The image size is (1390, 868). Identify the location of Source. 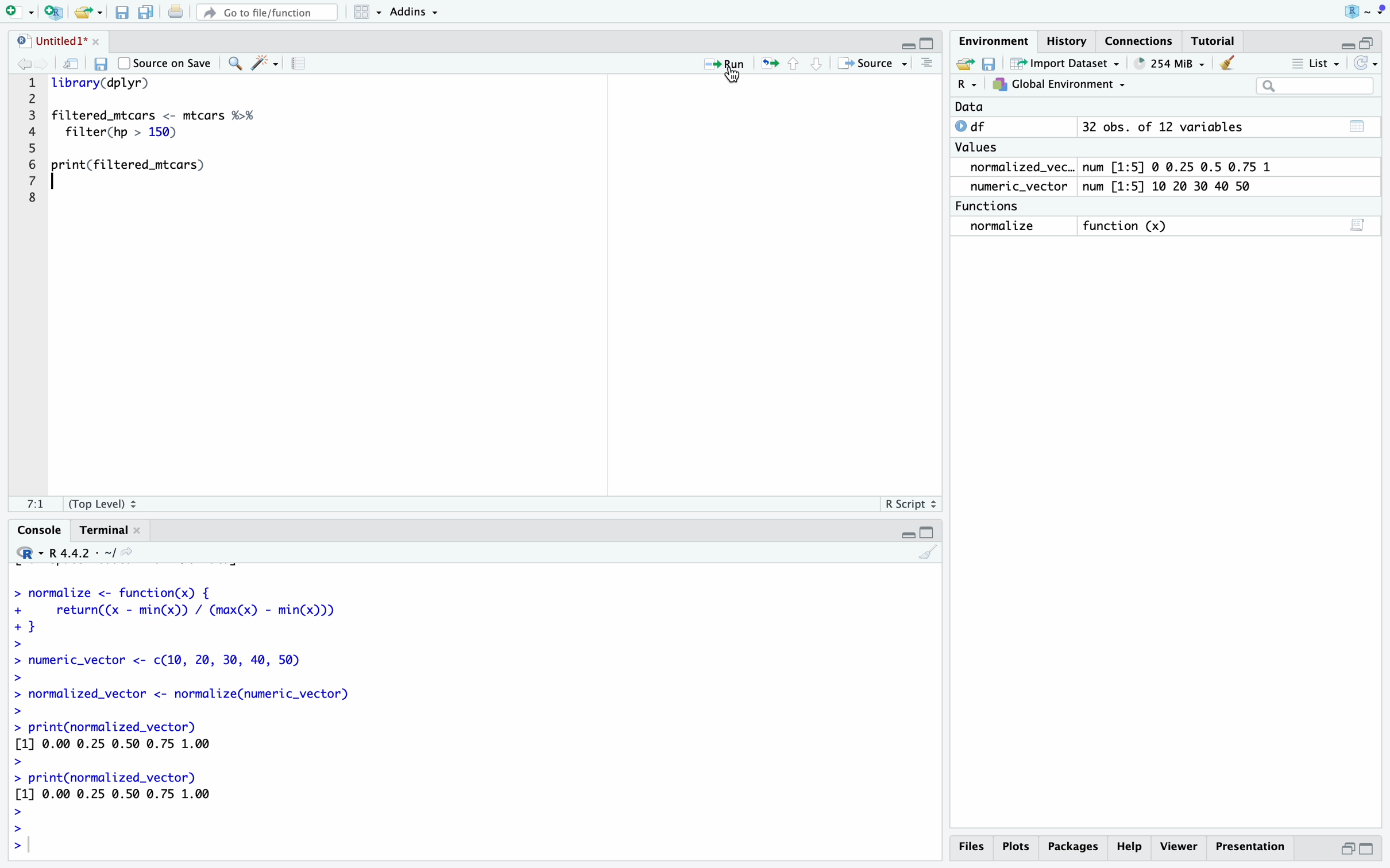
(868, 65).